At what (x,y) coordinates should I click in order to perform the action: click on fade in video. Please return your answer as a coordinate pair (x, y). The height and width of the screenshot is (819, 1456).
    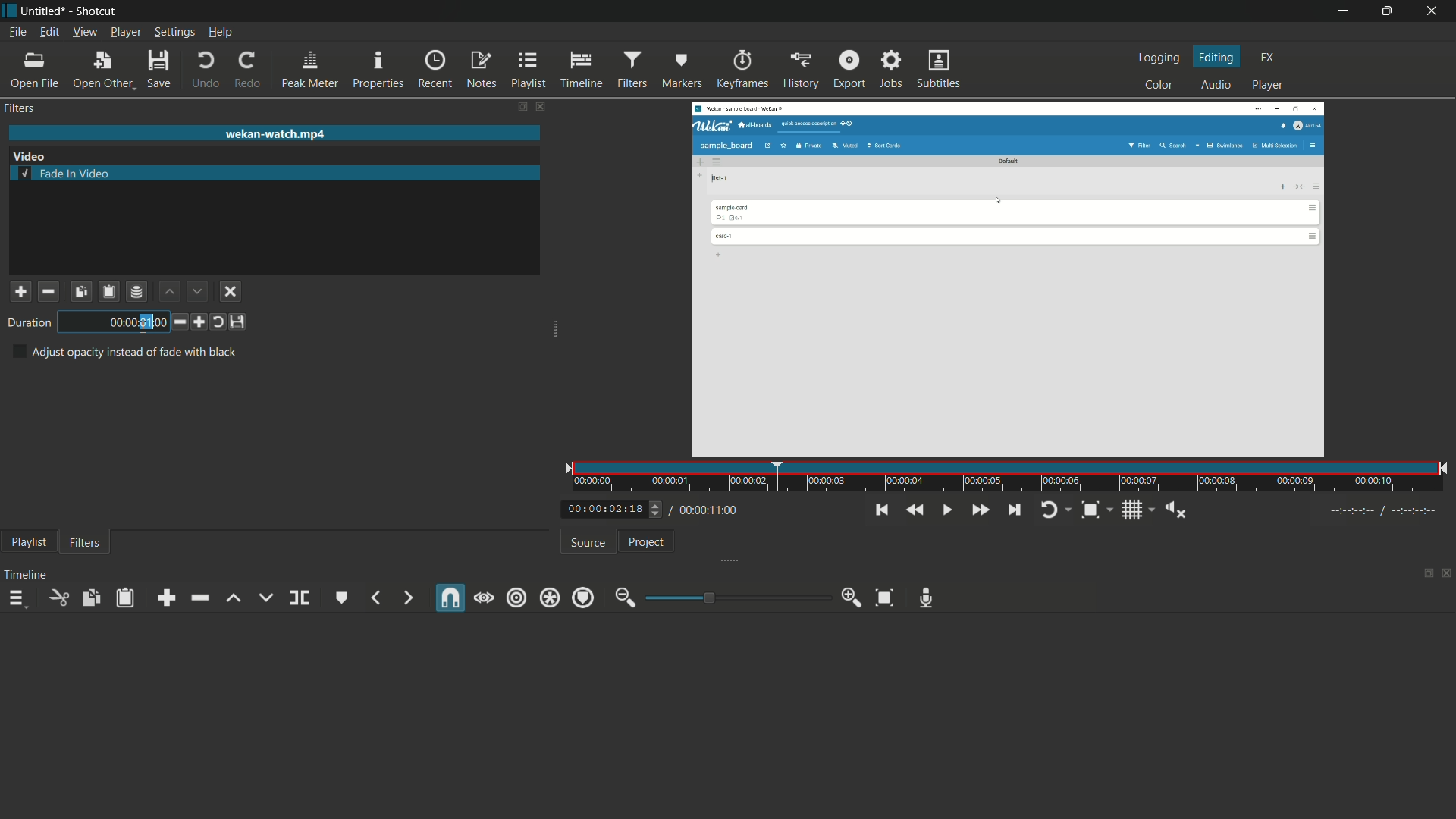
    Looking at the image, I should click on (66, 173).